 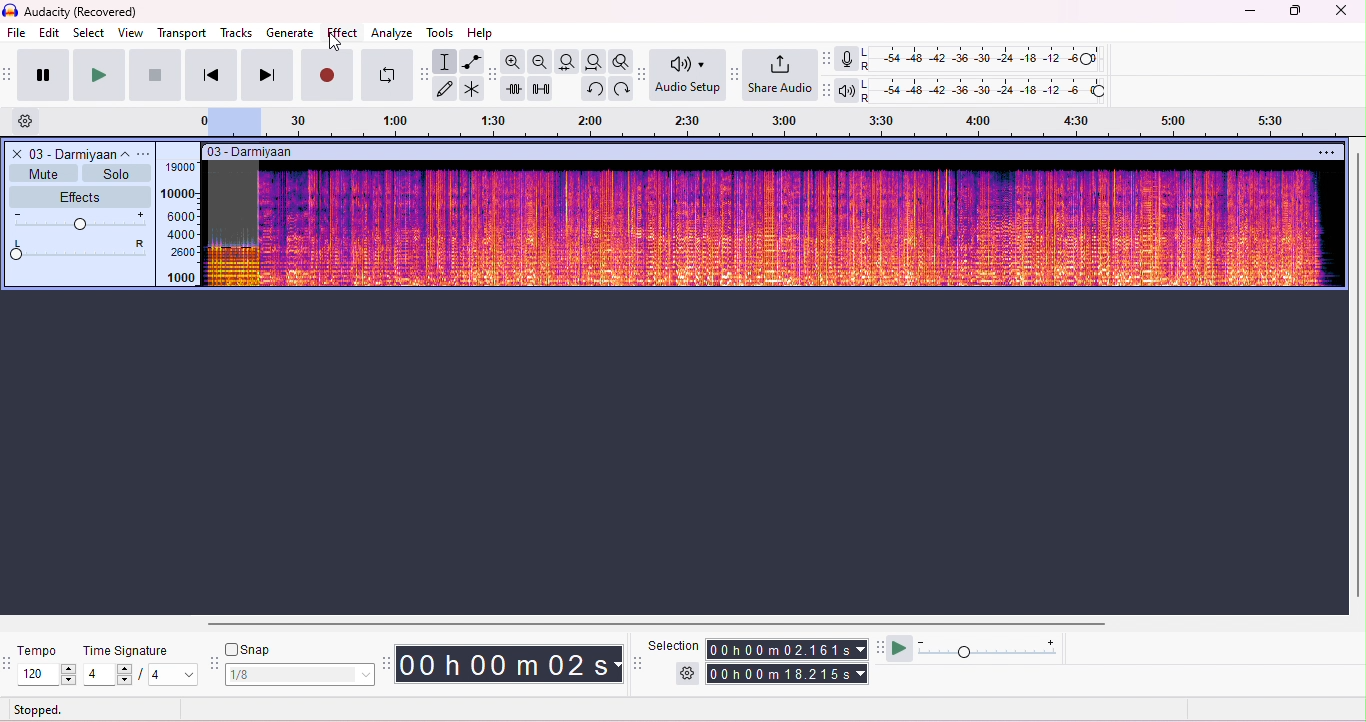 What do you see at coordinates (474, 62) in the screenshot?
I see `envelop` at bounding box center [474, 62].